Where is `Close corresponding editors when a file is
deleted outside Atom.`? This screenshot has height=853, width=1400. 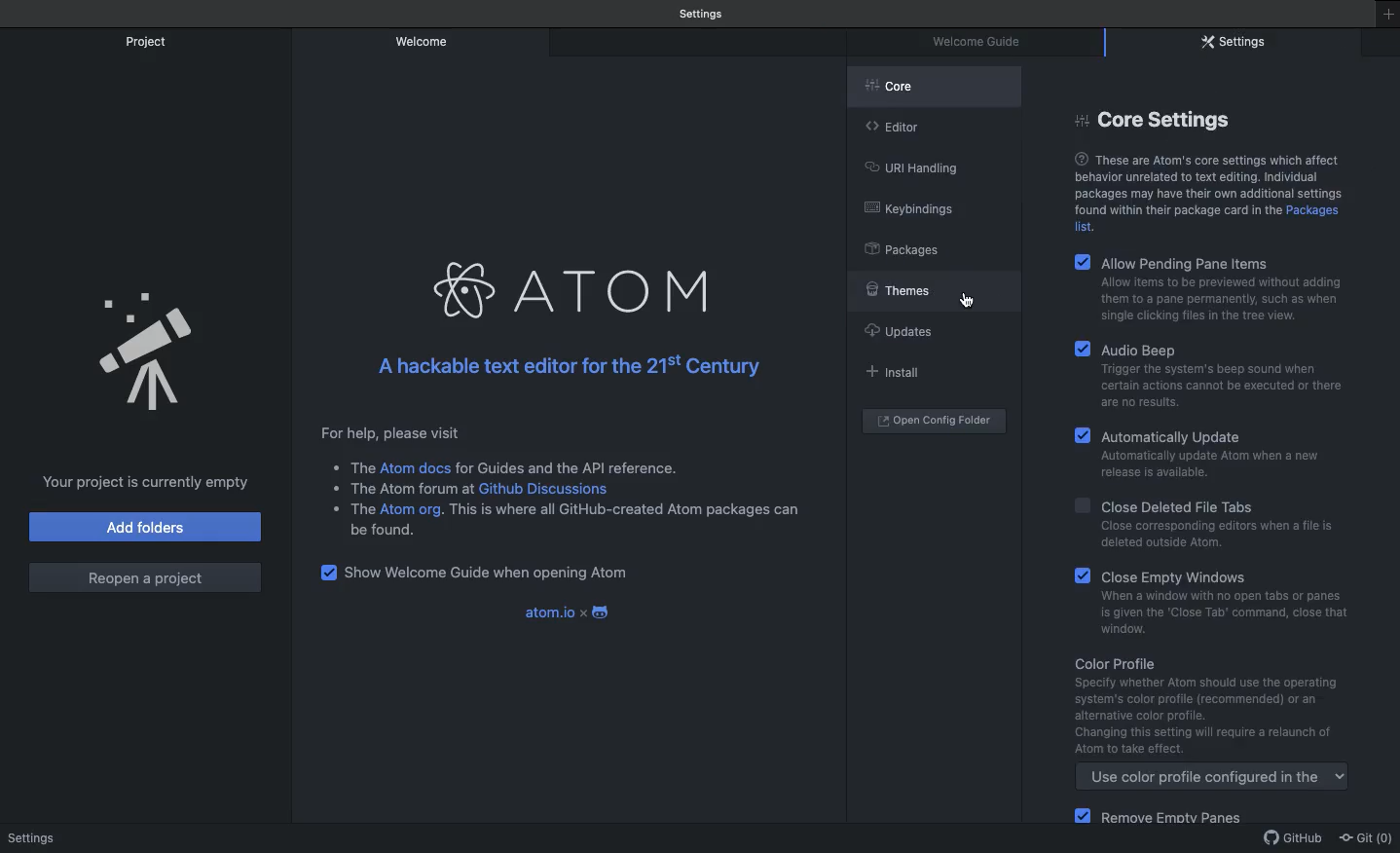 Close corresponding editors when a file is
deleted outside Atom. is located at coordinates (1215, 538).